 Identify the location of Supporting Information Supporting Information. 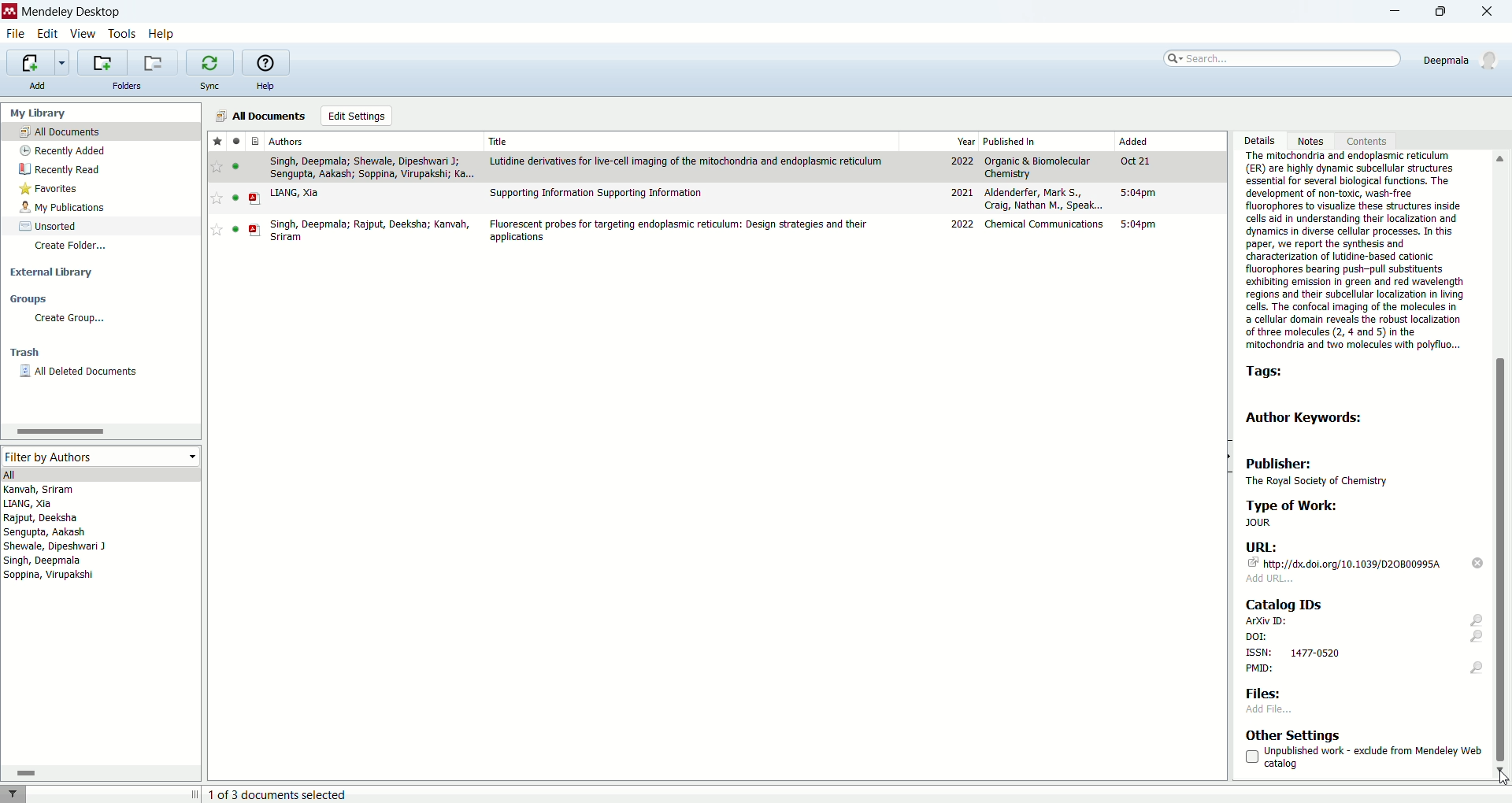
(597, 194).